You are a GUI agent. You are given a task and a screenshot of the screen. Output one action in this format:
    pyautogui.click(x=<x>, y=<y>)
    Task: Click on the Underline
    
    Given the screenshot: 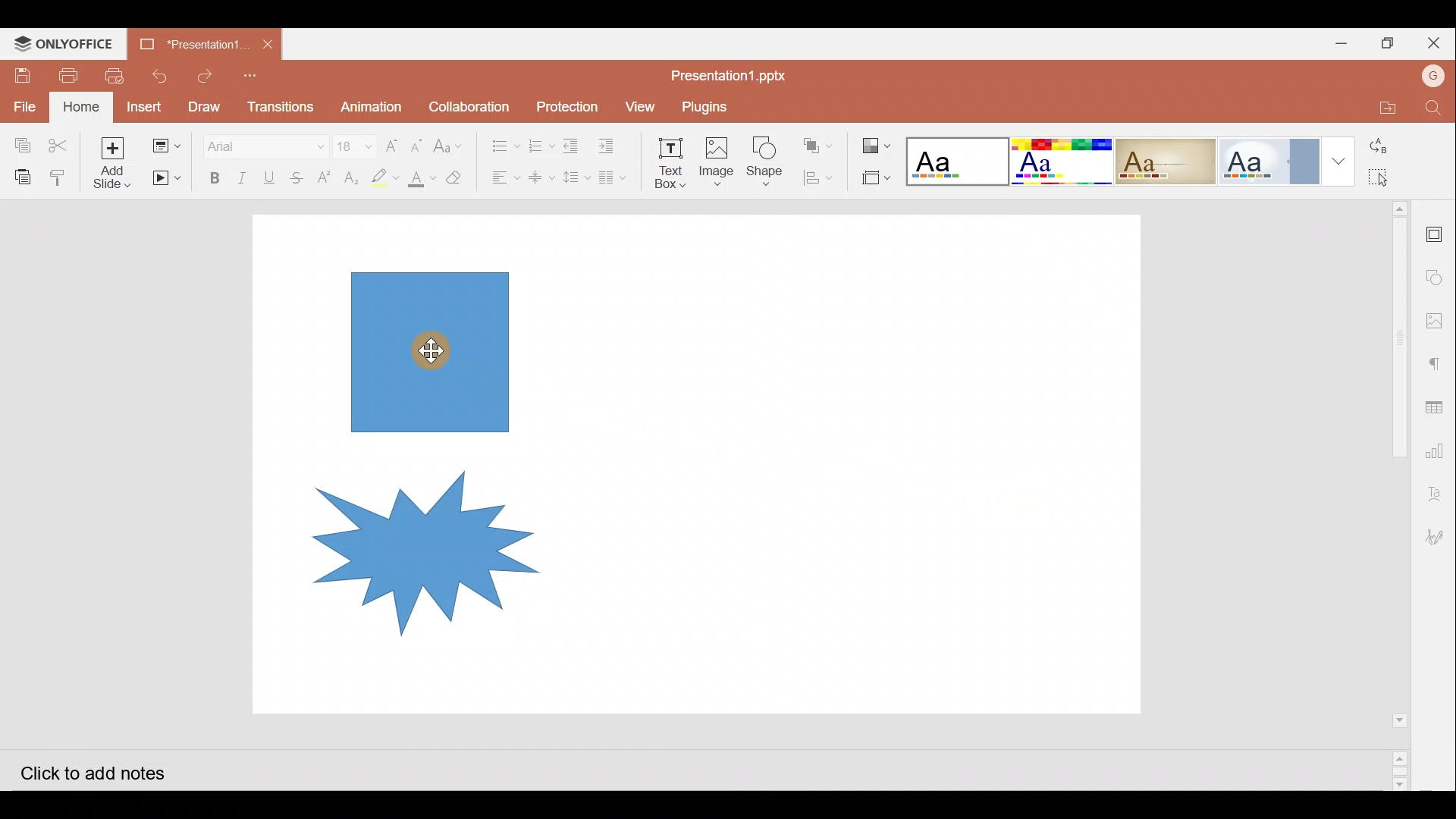 What is the action you would take?
    pyautogui.click(x=272, y=175)
    